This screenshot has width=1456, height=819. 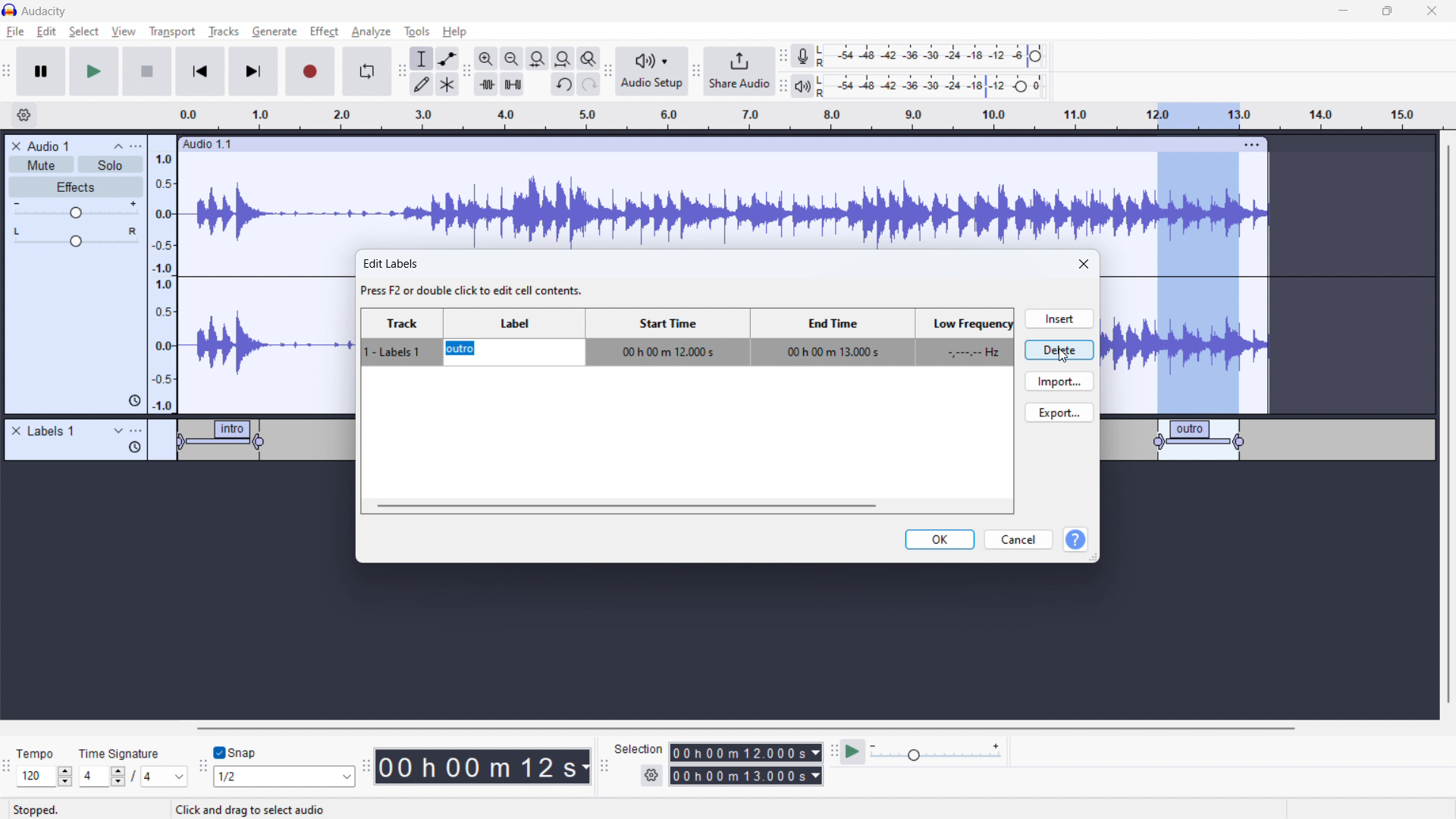 What do you see at coordinates (258, 71) in the screenshot?
I see `skip to end` at bounding box center [258, 71].